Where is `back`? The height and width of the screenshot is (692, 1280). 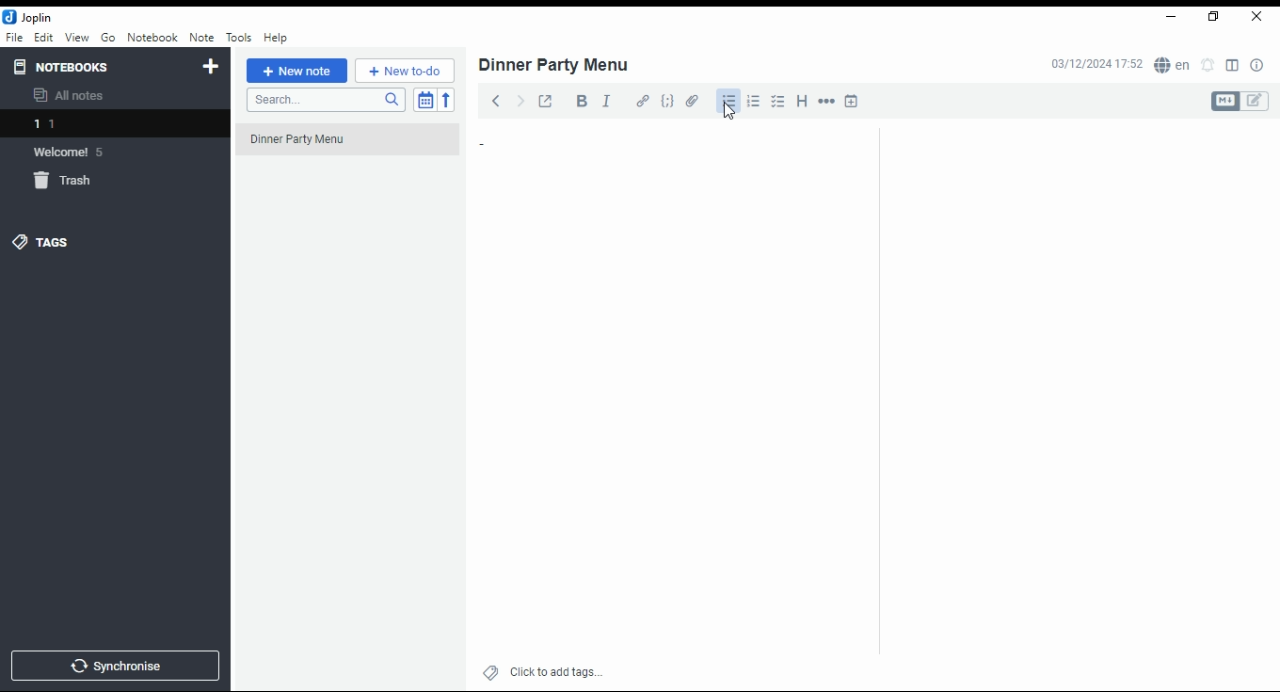
back is located at coordinates (492, 99).